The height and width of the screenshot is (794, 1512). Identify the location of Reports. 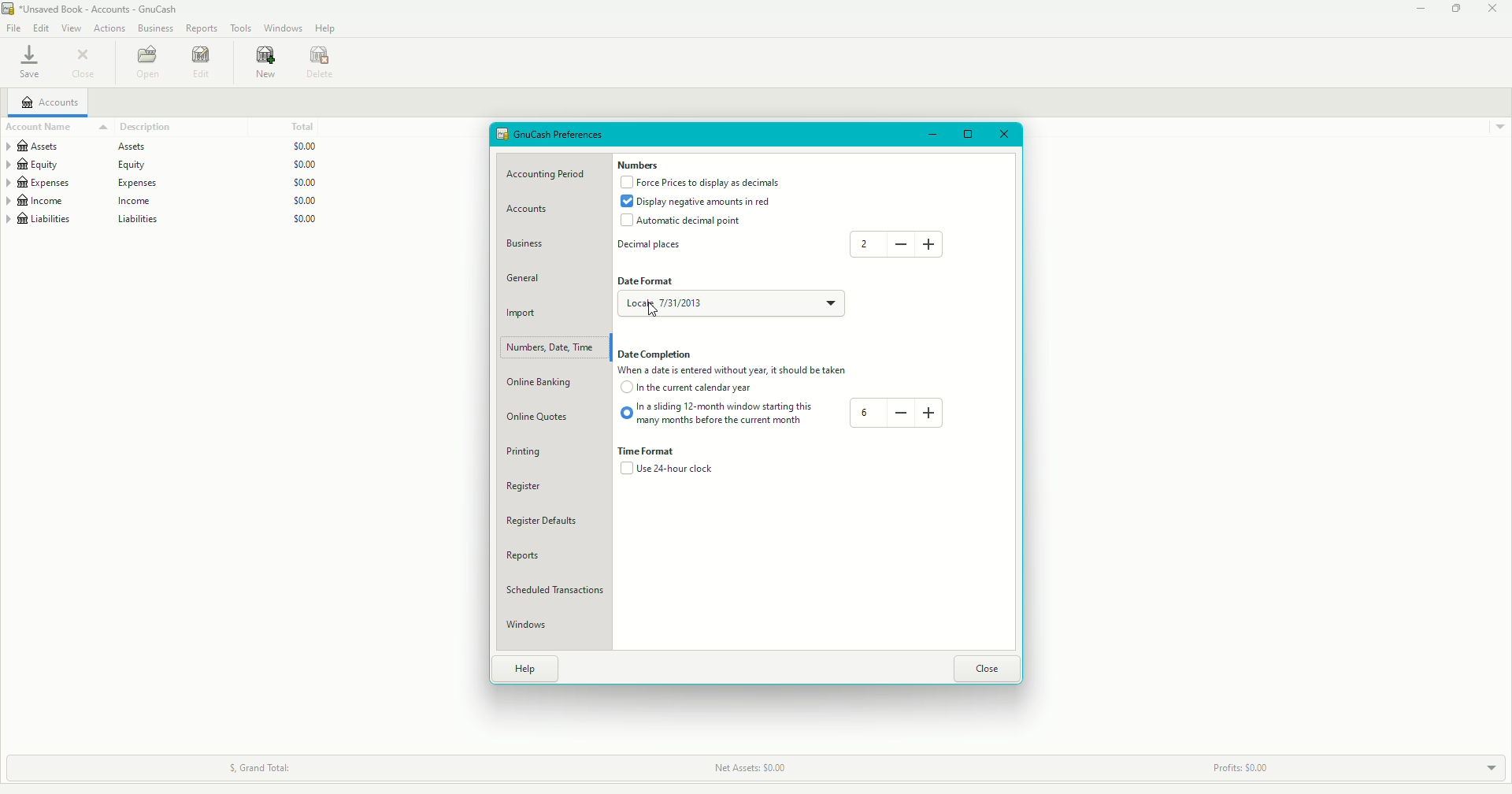
(202, 28).